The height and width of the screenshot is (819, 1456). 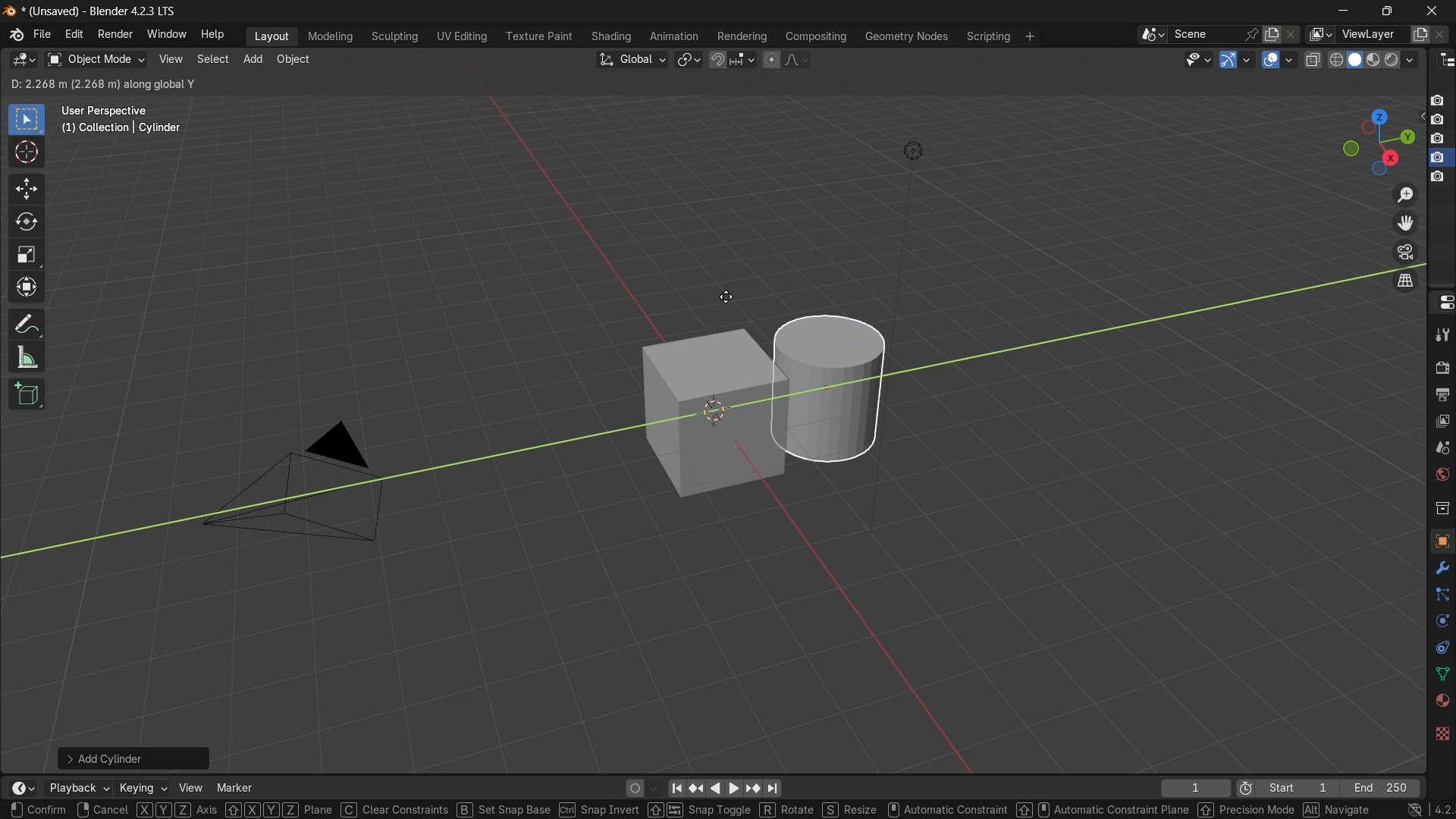 What do you see at coordinates (27, 121) in the screenshot?
I see `select box` at bounding box center [27, 121].